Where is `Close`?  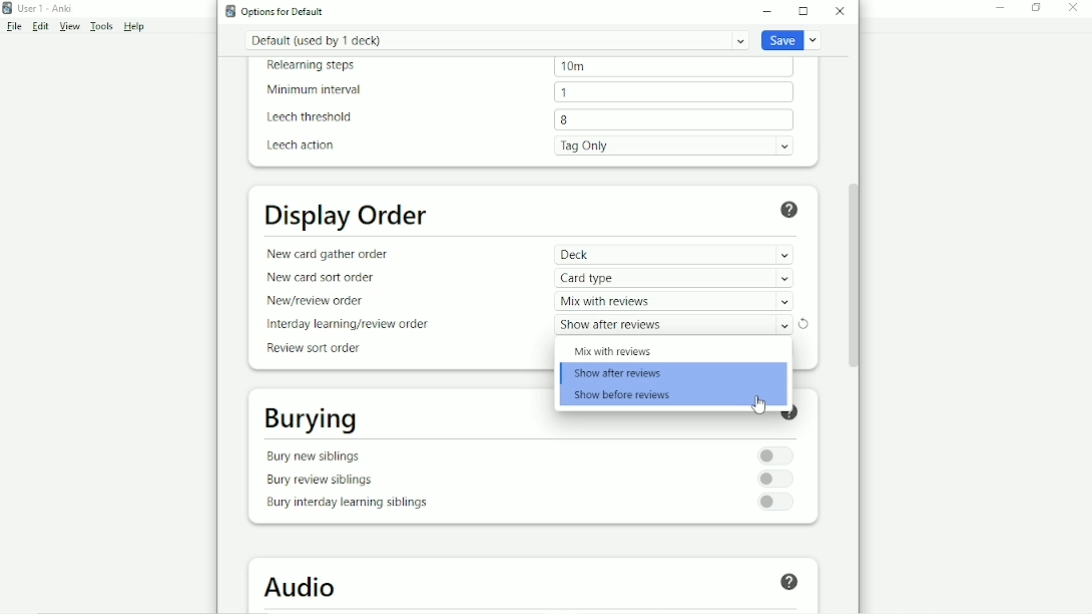 Close is located at coordinates (1072, 9).